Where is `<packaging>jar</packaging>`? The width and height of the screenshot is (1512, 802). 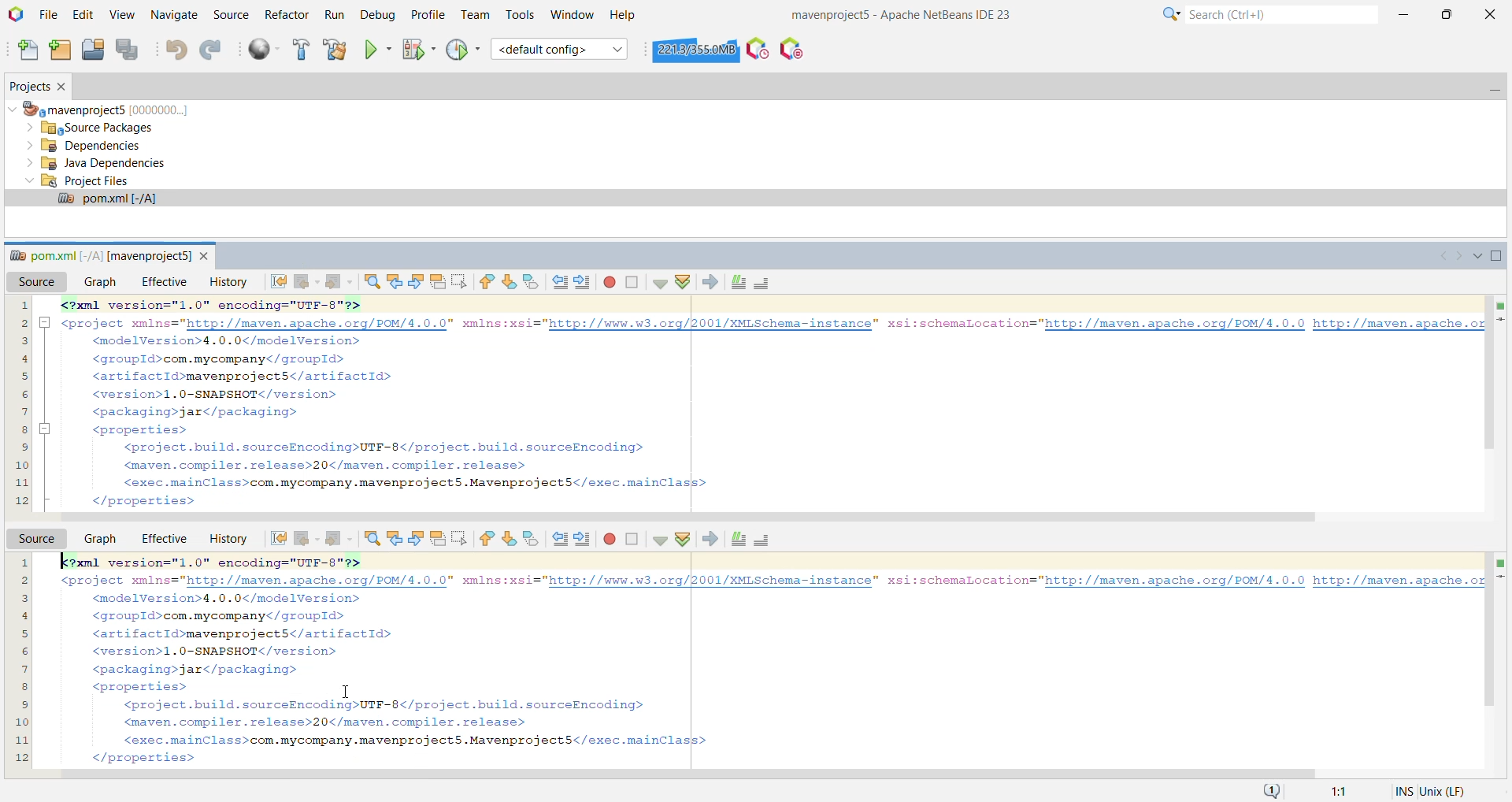
<packaging>jar</packaging> is located at coordinates (202, 414).